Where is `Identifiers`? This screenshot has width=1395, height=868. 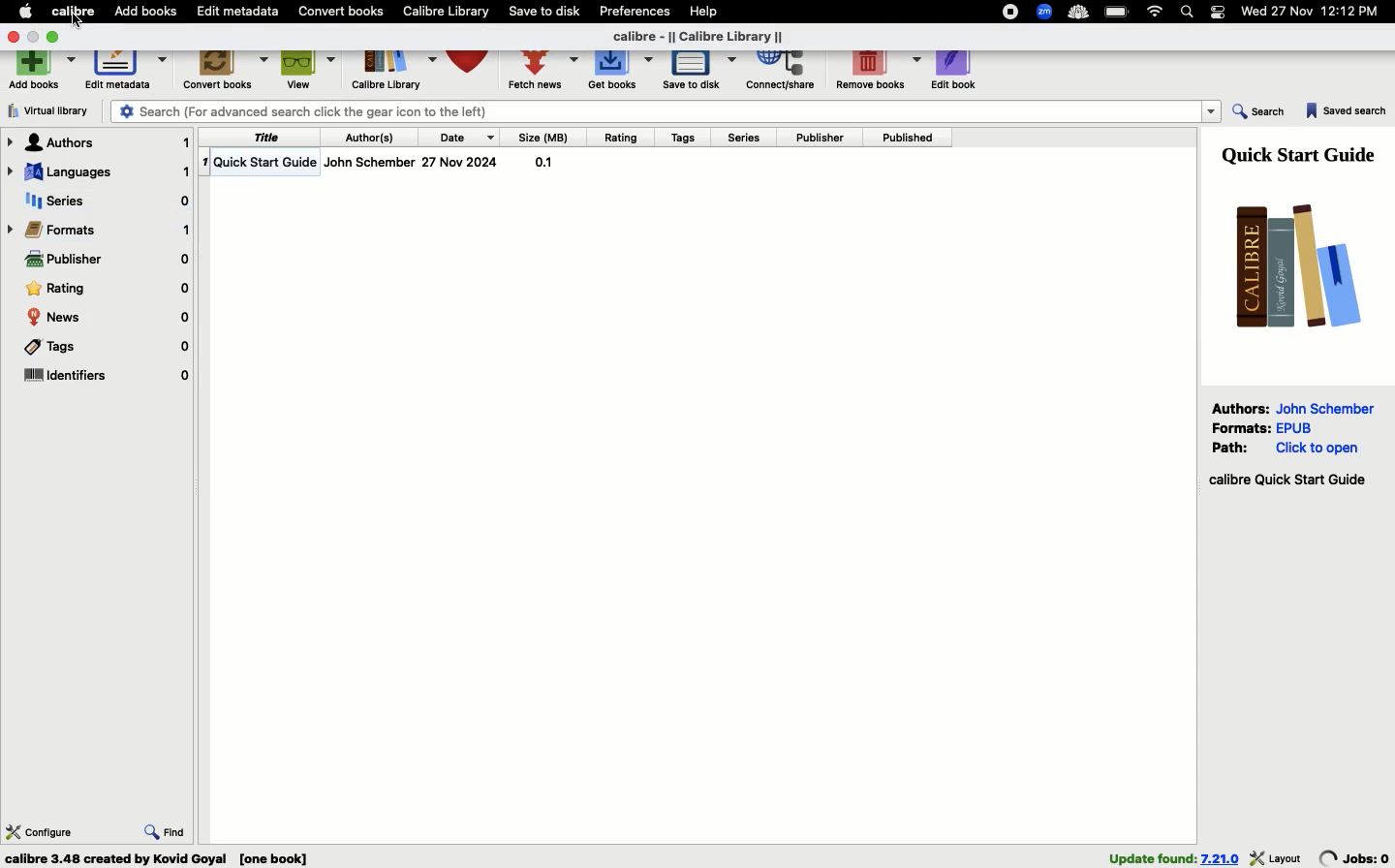
Identifiers is located at coordinates (107, 377).